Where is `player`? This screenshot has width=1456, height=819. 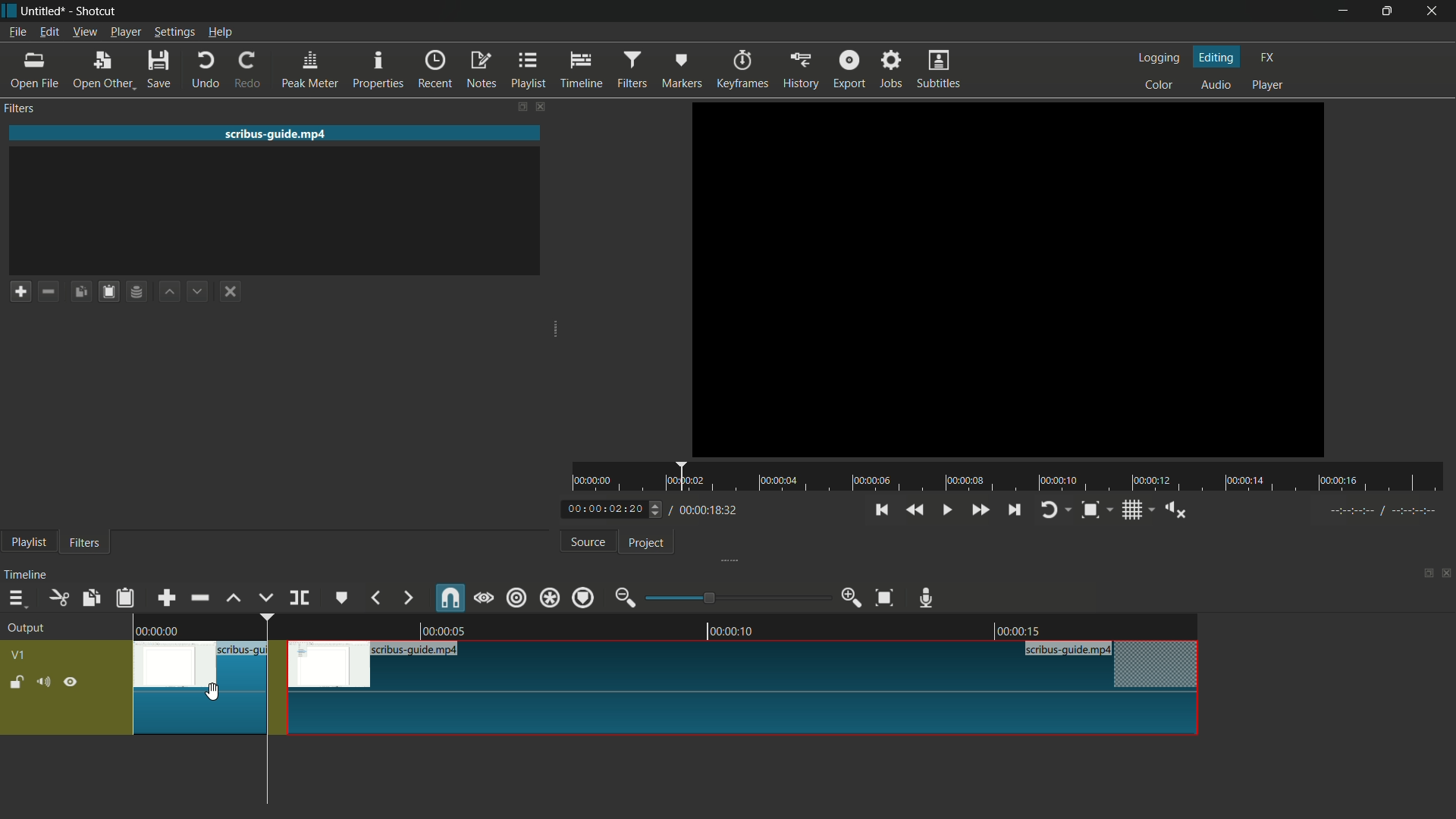
player is located at coordinates (1267, 84).